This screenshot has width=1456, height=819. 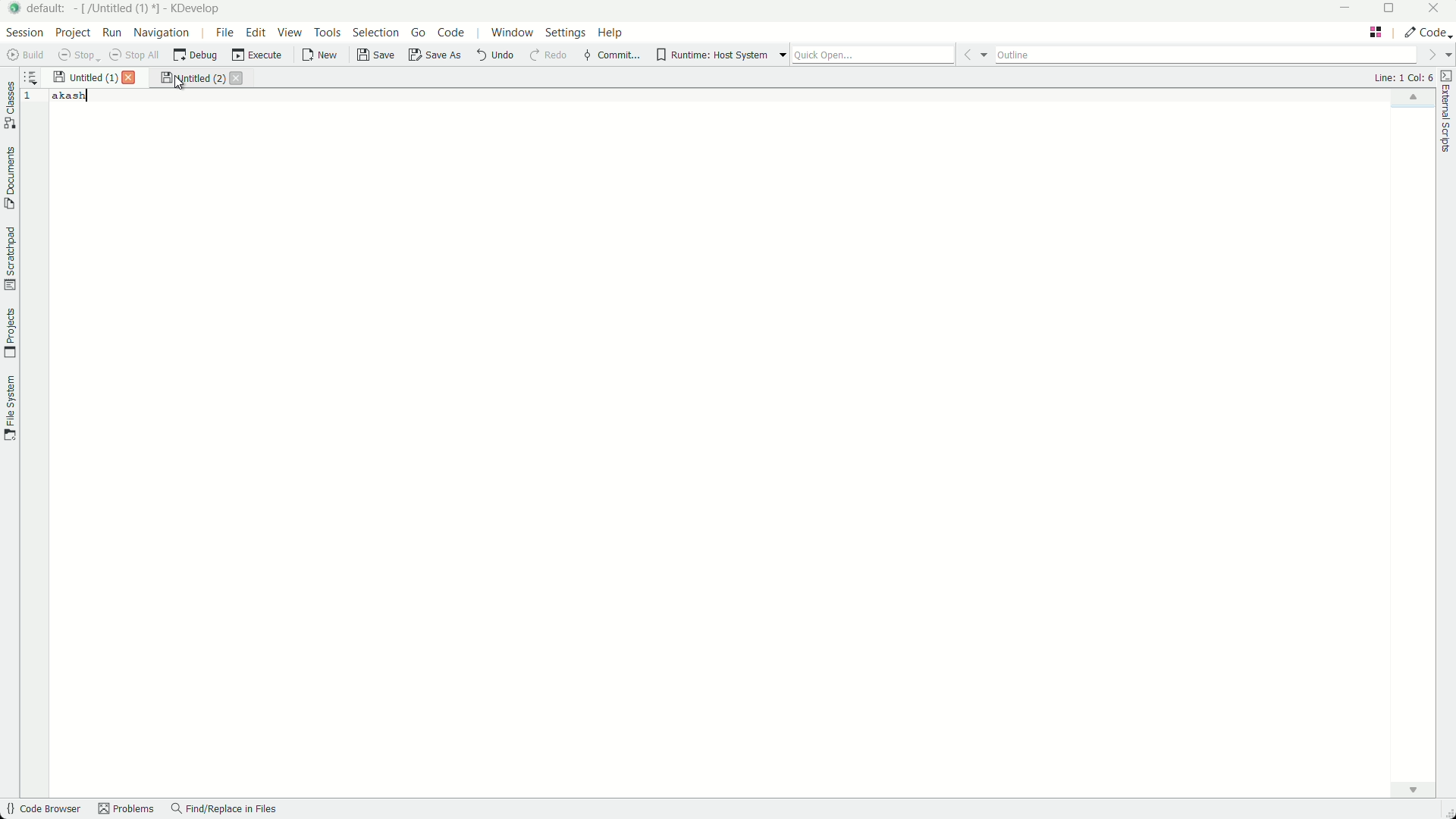 What do you see at coordinates (611, 57) in the screenshot?
I see `commit` at bounding box center [611, 57].